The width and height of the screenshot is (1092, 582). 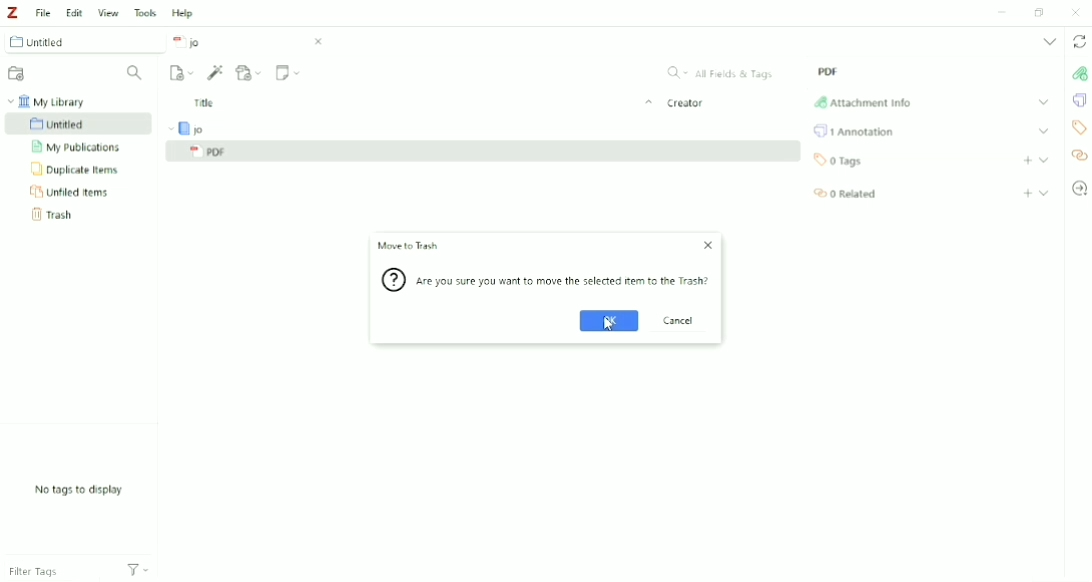 I want to click on Cancel, so click(x=680, y=321).